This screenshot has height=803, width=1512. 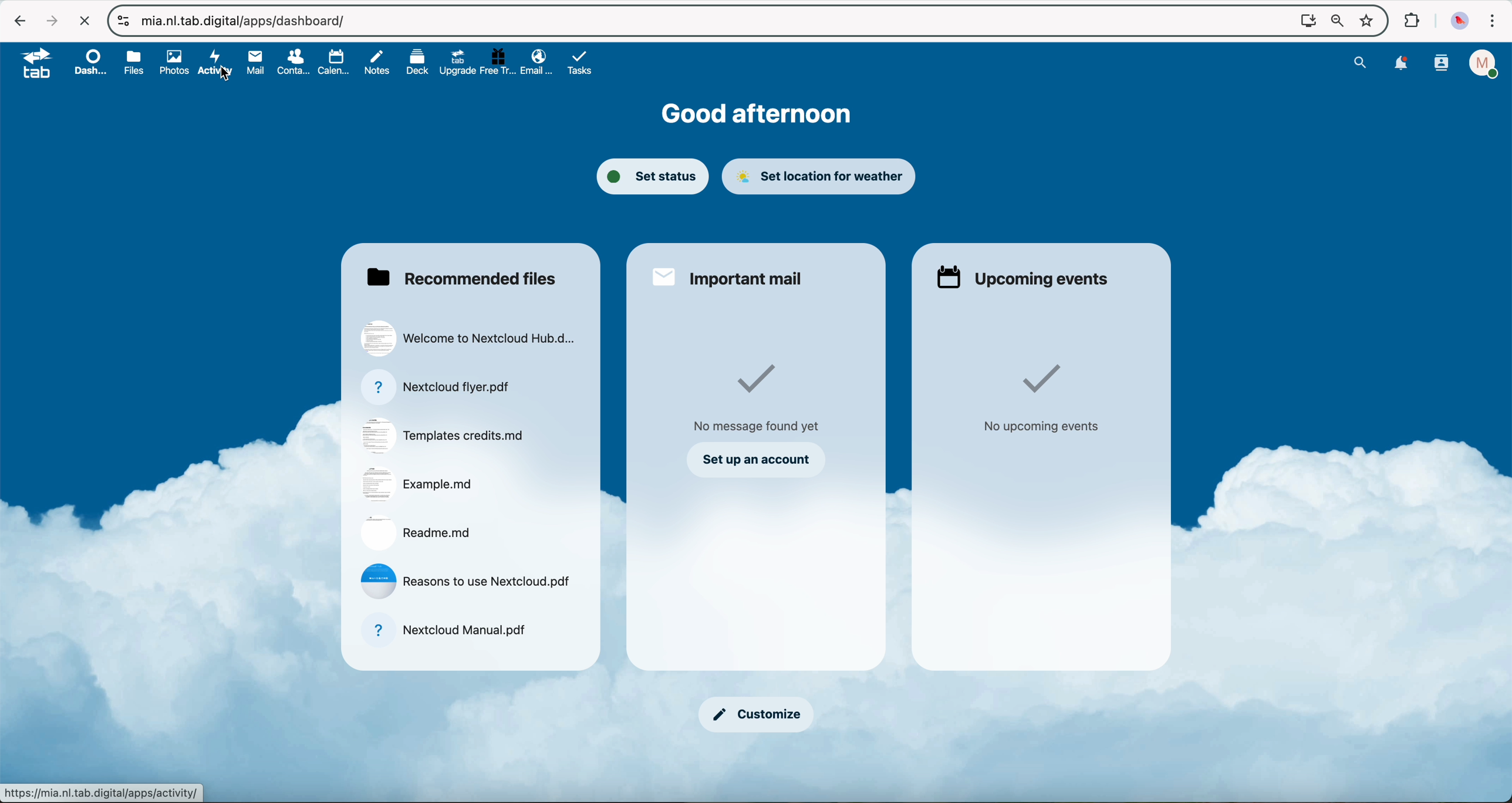 What do you see at coordinates (439, 386) in the screenshot?
I see `file` at bounding box center [439, 386].